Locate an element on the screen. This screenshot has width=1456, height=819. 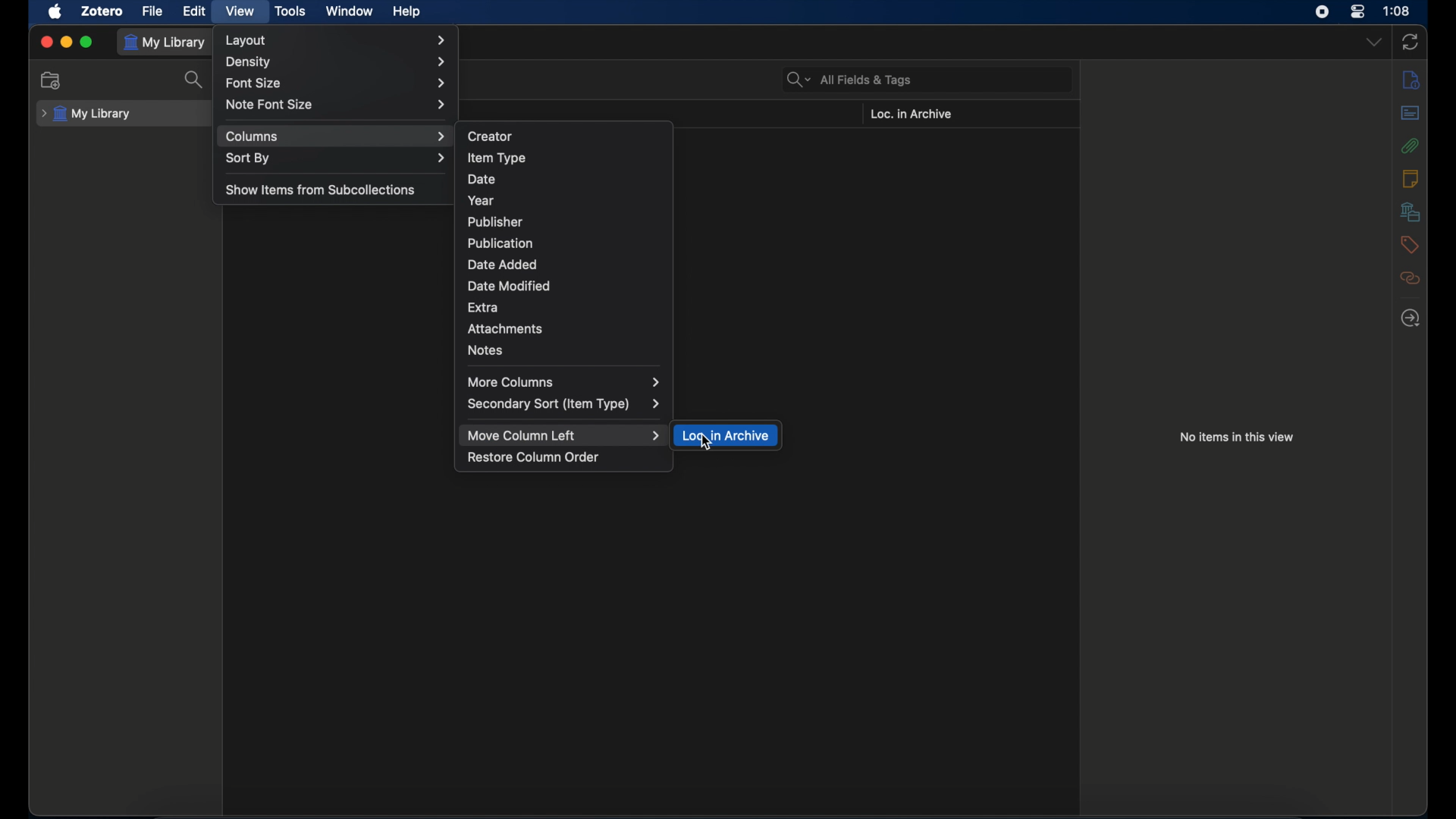
date added is located at coordinates (502, 265).